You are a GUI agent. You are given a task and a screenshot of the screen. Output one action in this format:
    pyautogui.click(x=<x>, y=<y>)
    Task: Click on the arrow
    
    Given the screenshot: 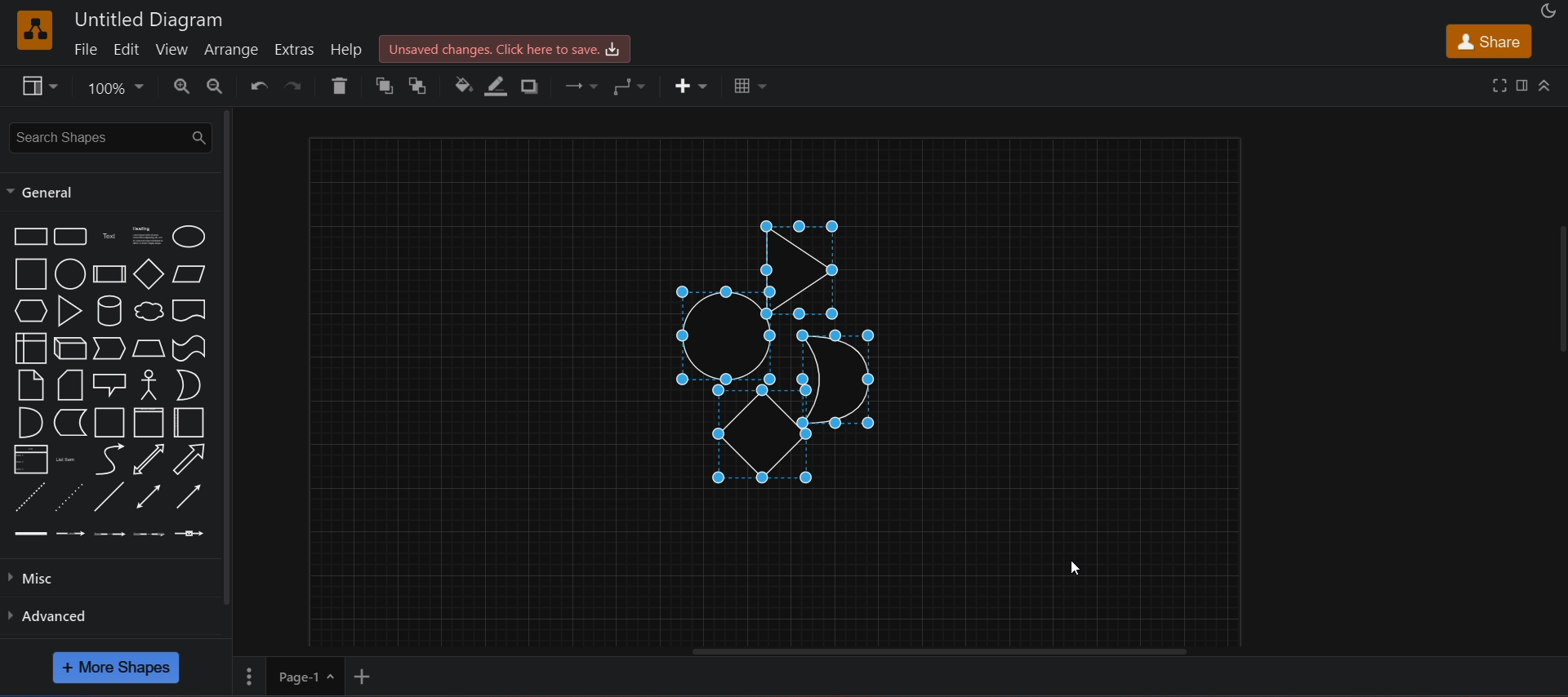 What is the action you would take?
    pyautogui.click(x=189, y=458)
    